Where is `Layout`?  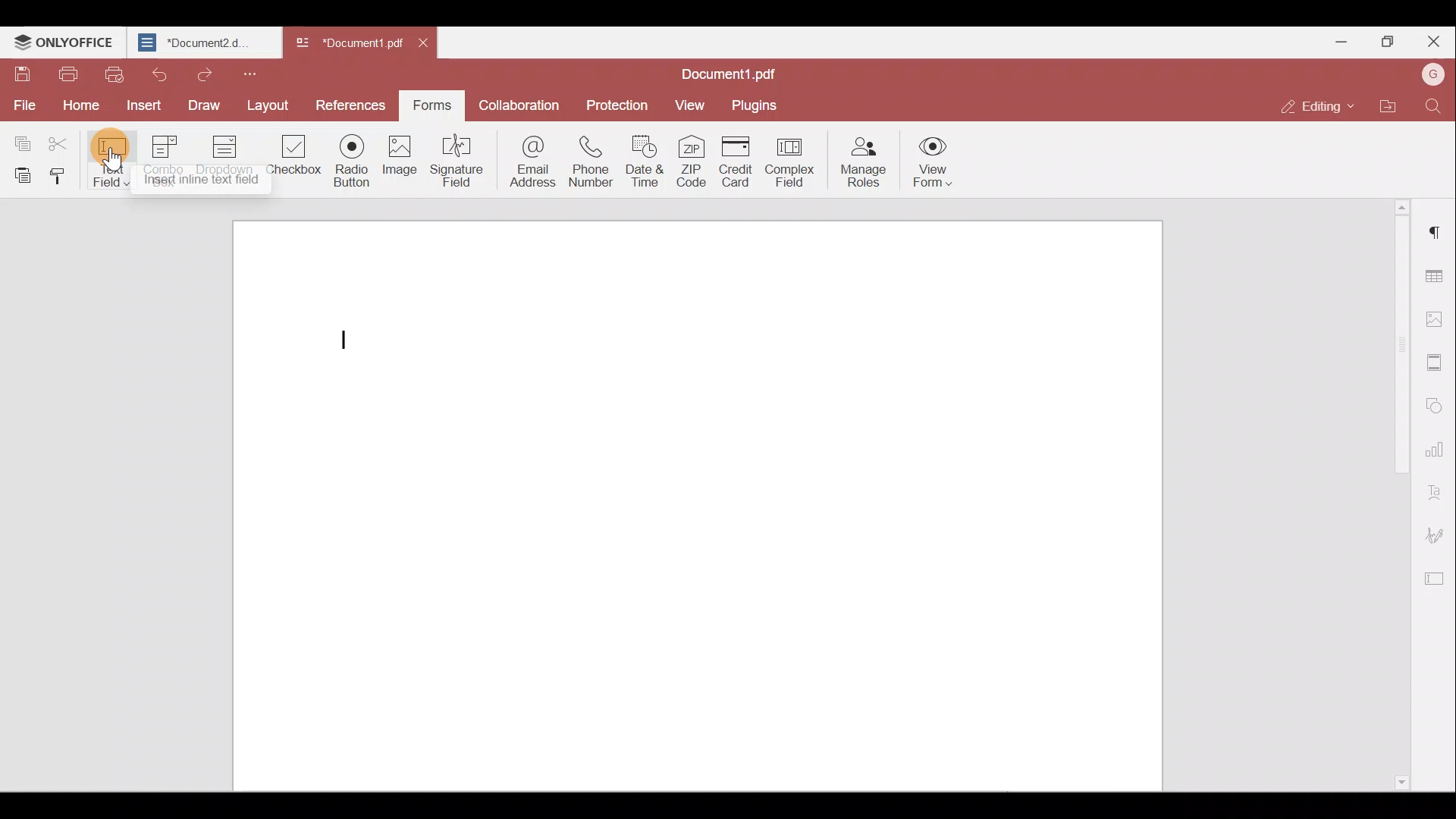
Layout is located at coordinates (267, 104).